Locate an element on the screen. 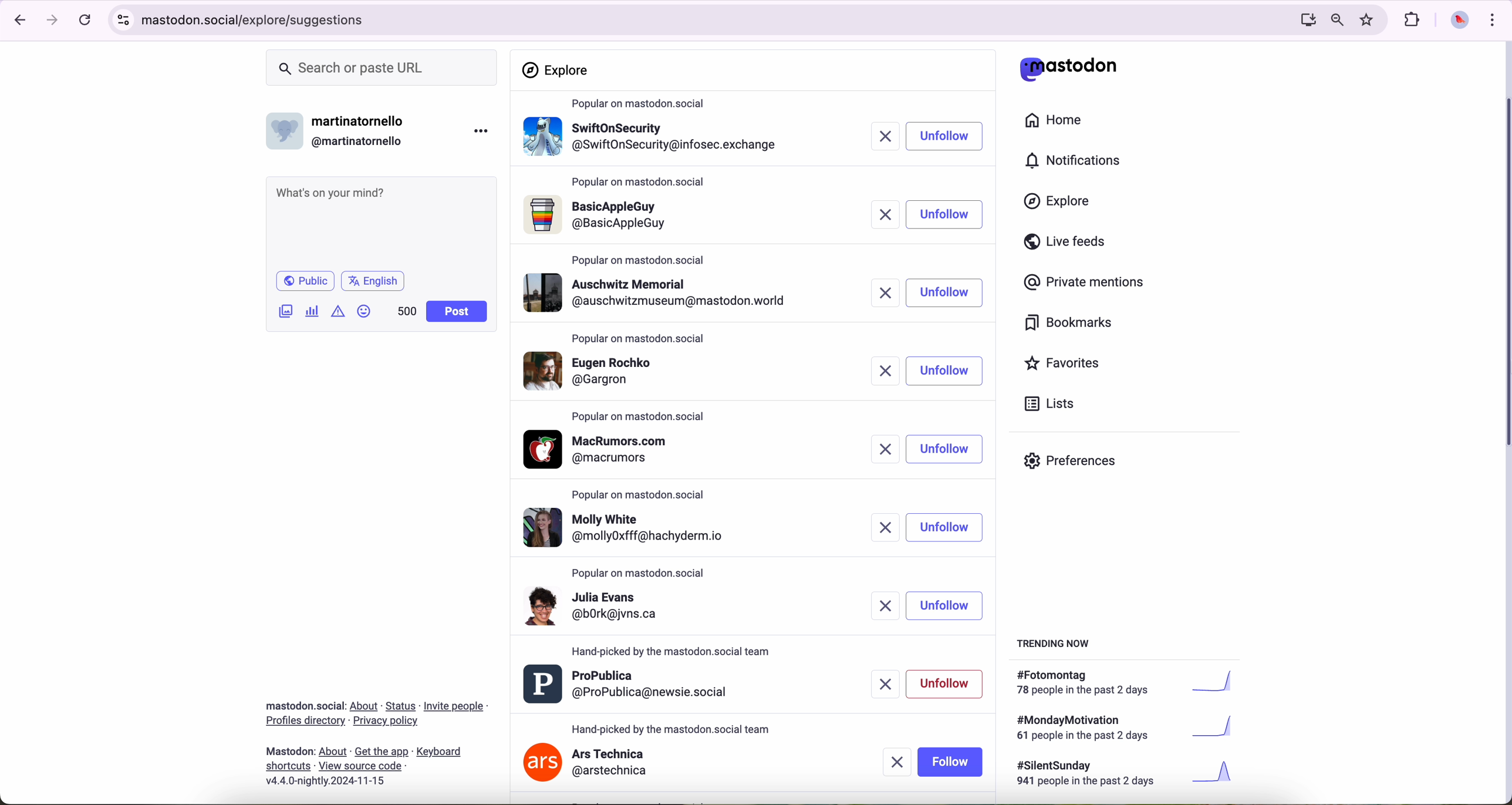 The width and height of the screenshot is (1512, 805). #mondaymotivation is located at coordinates (1123, 727).